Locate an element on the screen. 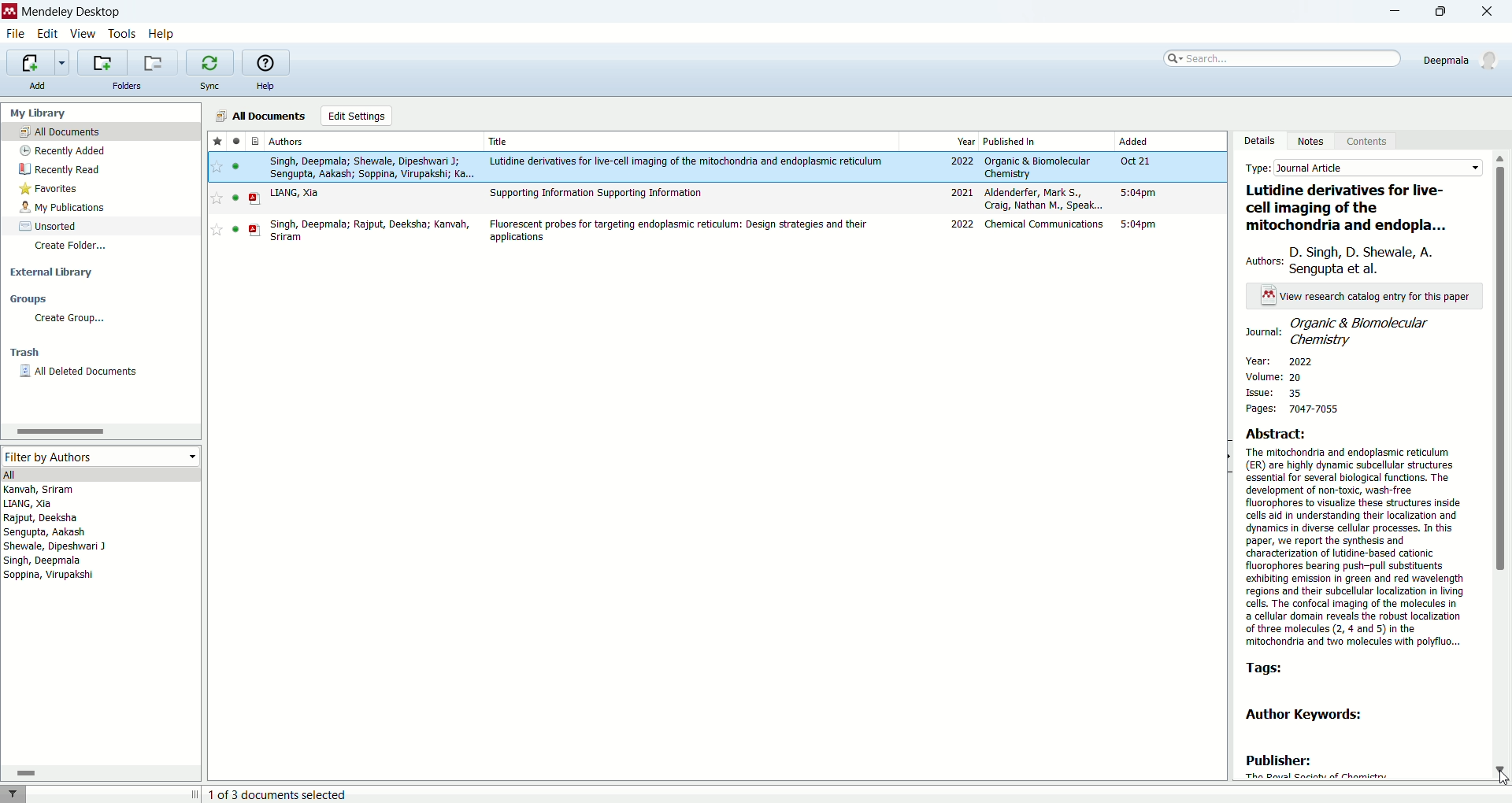  Supporting Information Supporting Information is located at coordinates (597, 194).